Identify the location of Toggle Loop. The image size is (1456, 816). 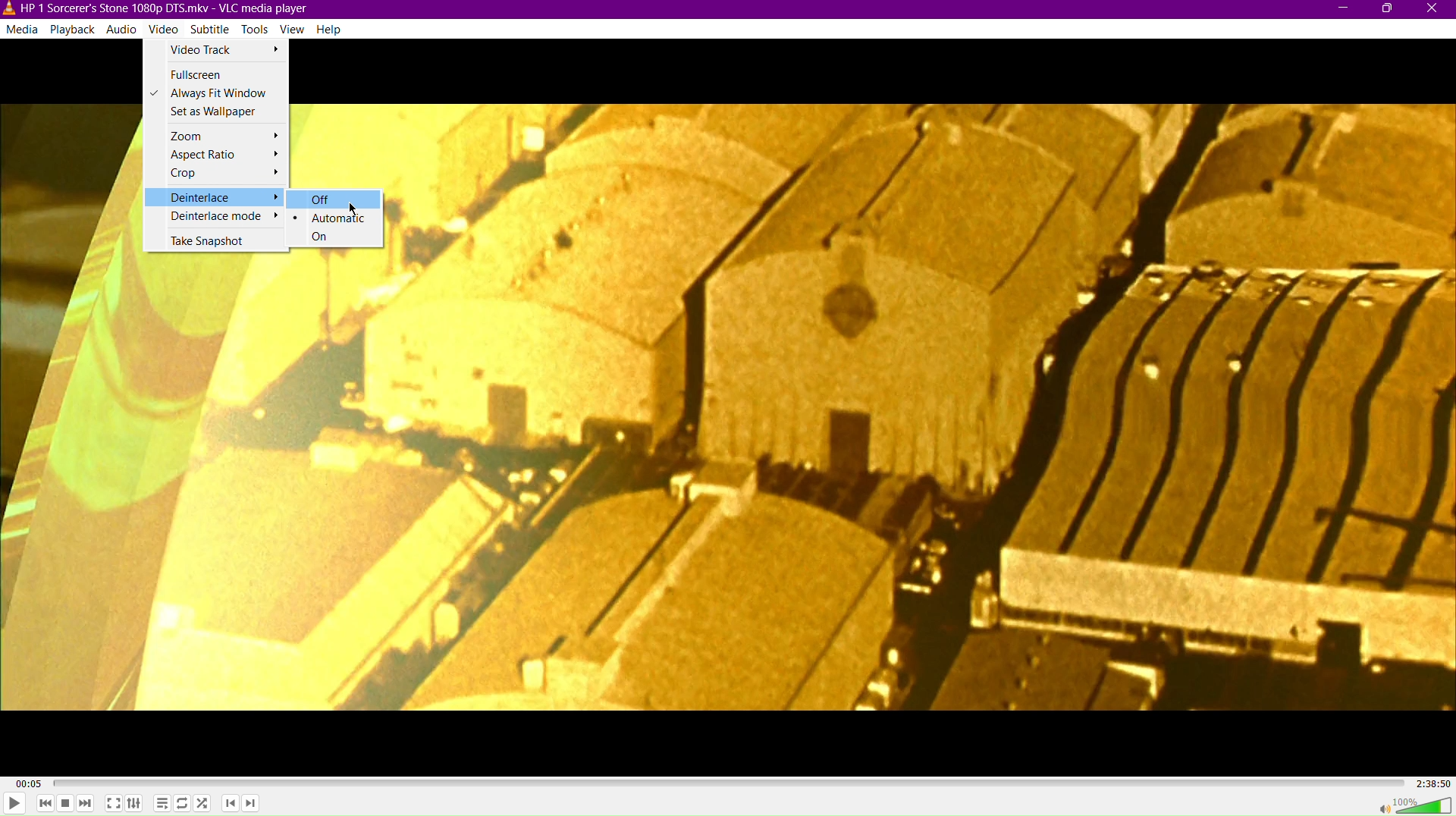
(182, 802).